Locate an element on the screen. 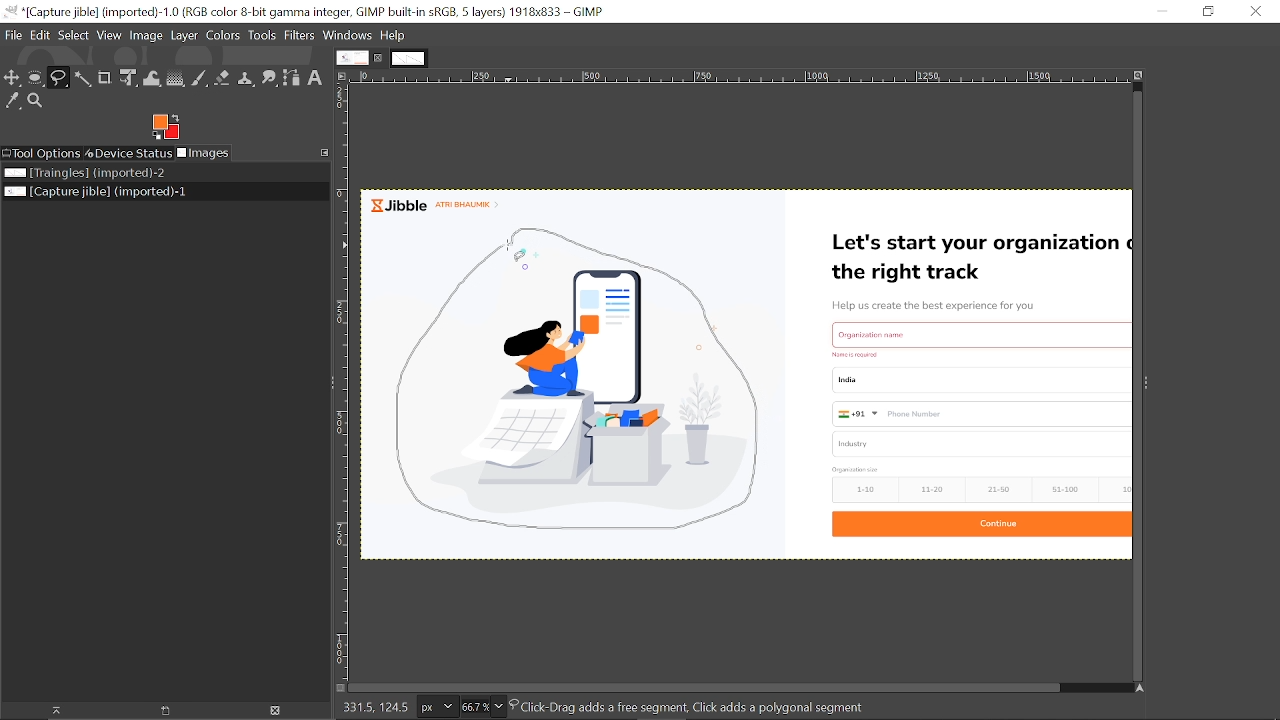 The height and width of the screenshot is (720, 1280). Fuzzy select tool is located at coordinates (84, 79).